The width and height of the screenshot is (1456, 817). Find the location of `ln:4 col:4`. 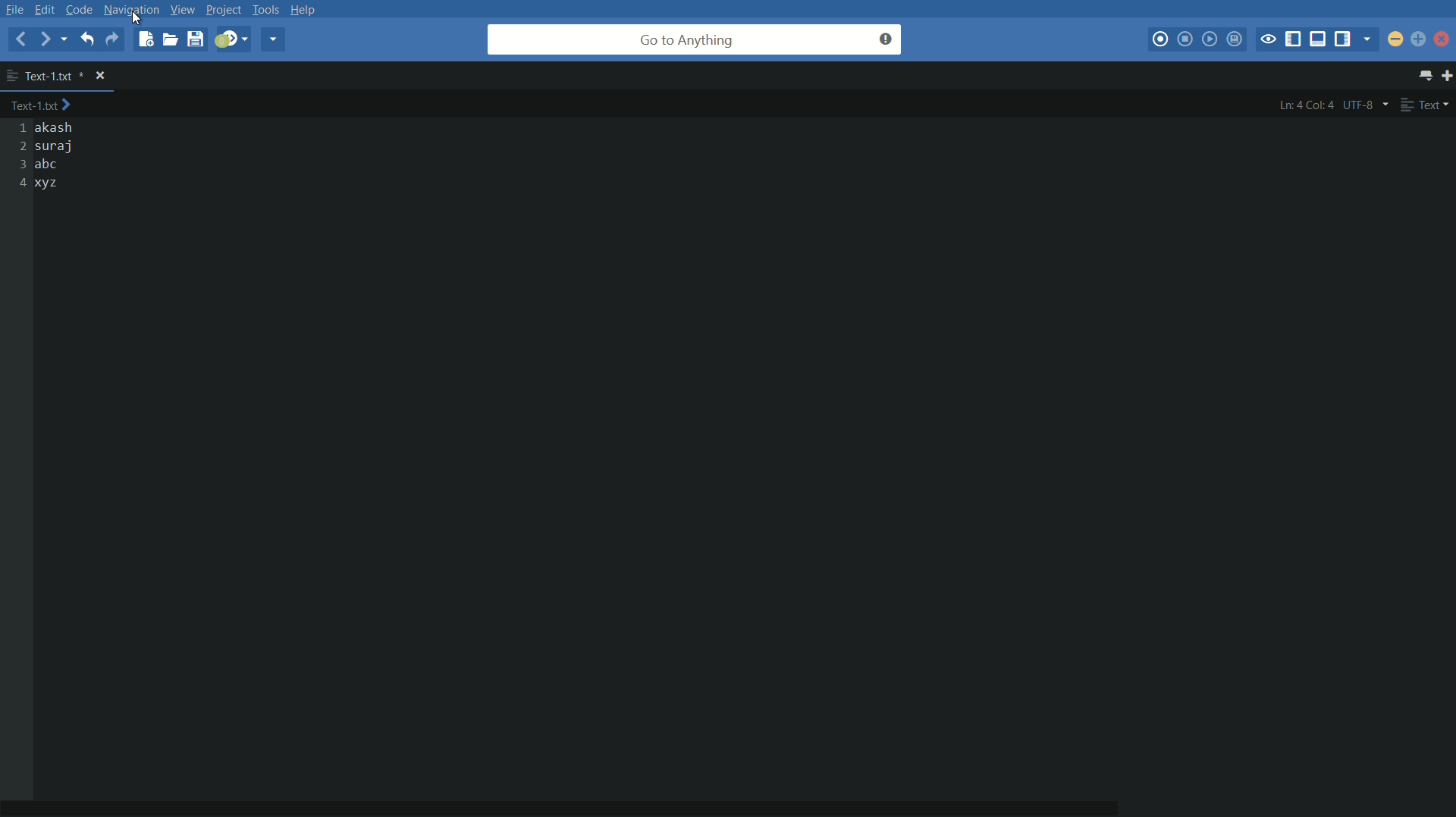

ln:4 col:4 is located at coordinates (1306, 105).